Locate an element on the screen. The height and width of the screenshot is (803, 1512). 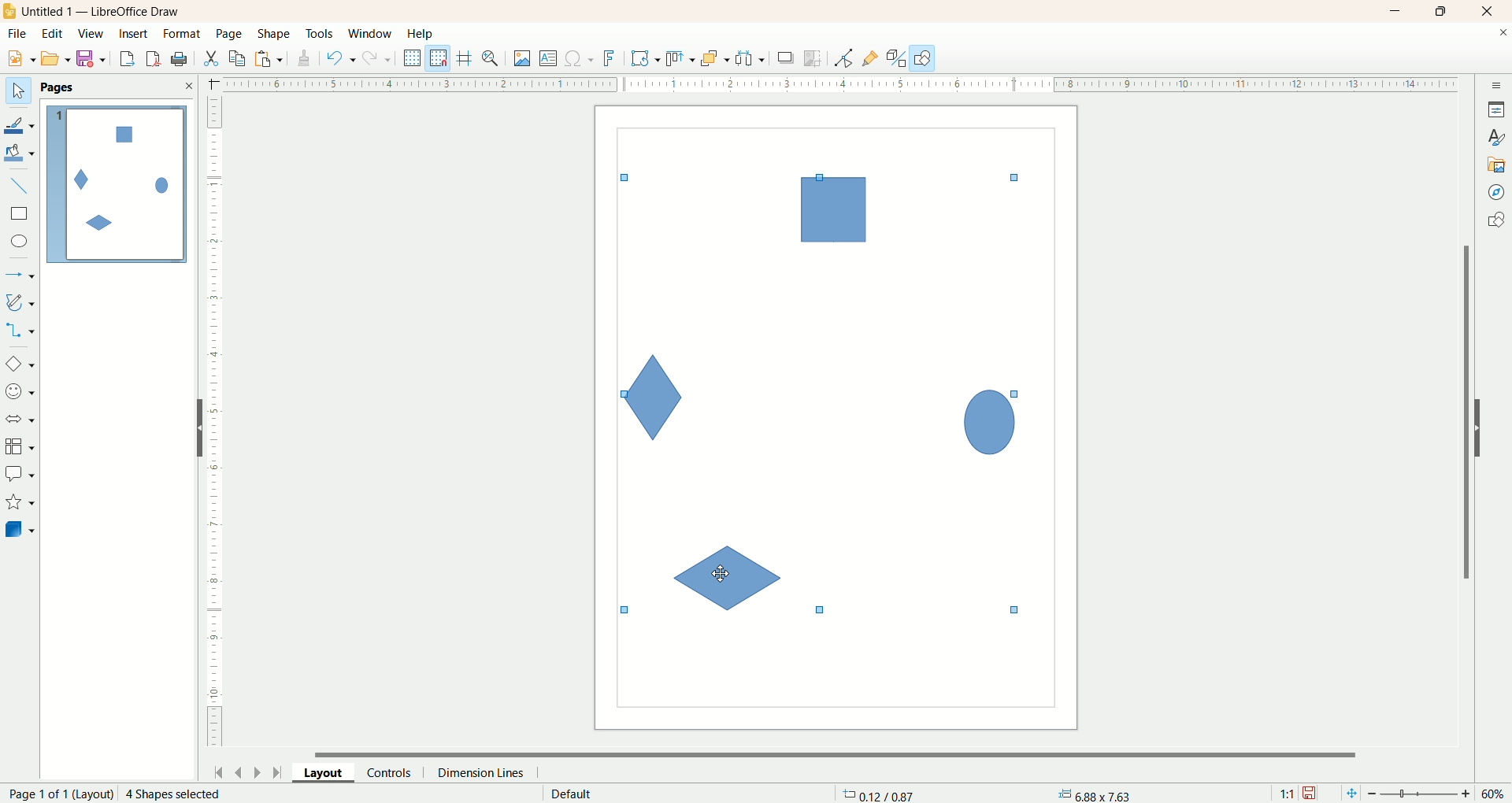
3dD object is located at coordinates (19, 529).